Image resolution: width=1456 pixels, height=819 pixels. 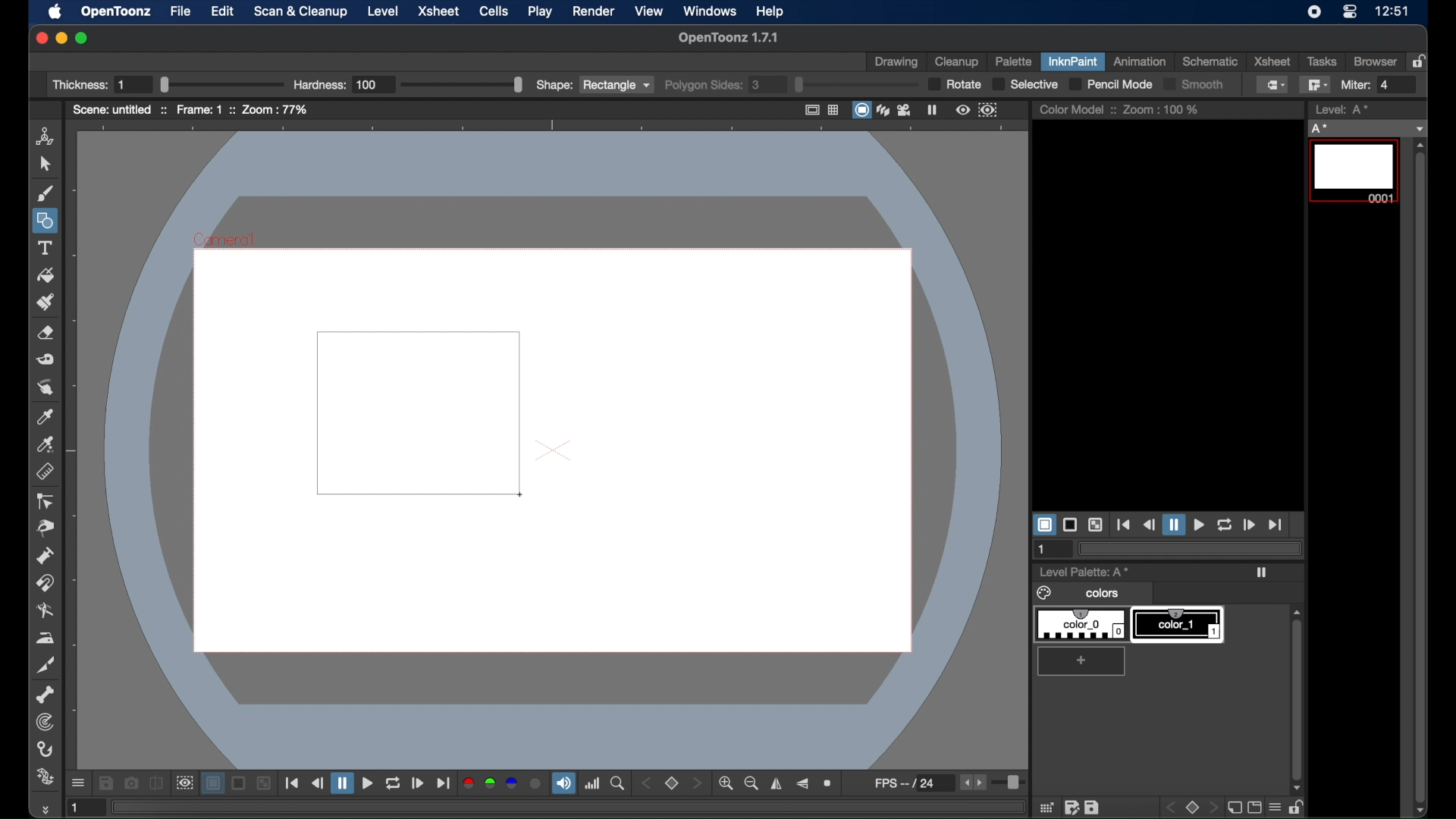 I want to click on pencil mode, so click(x=1109, y=85).